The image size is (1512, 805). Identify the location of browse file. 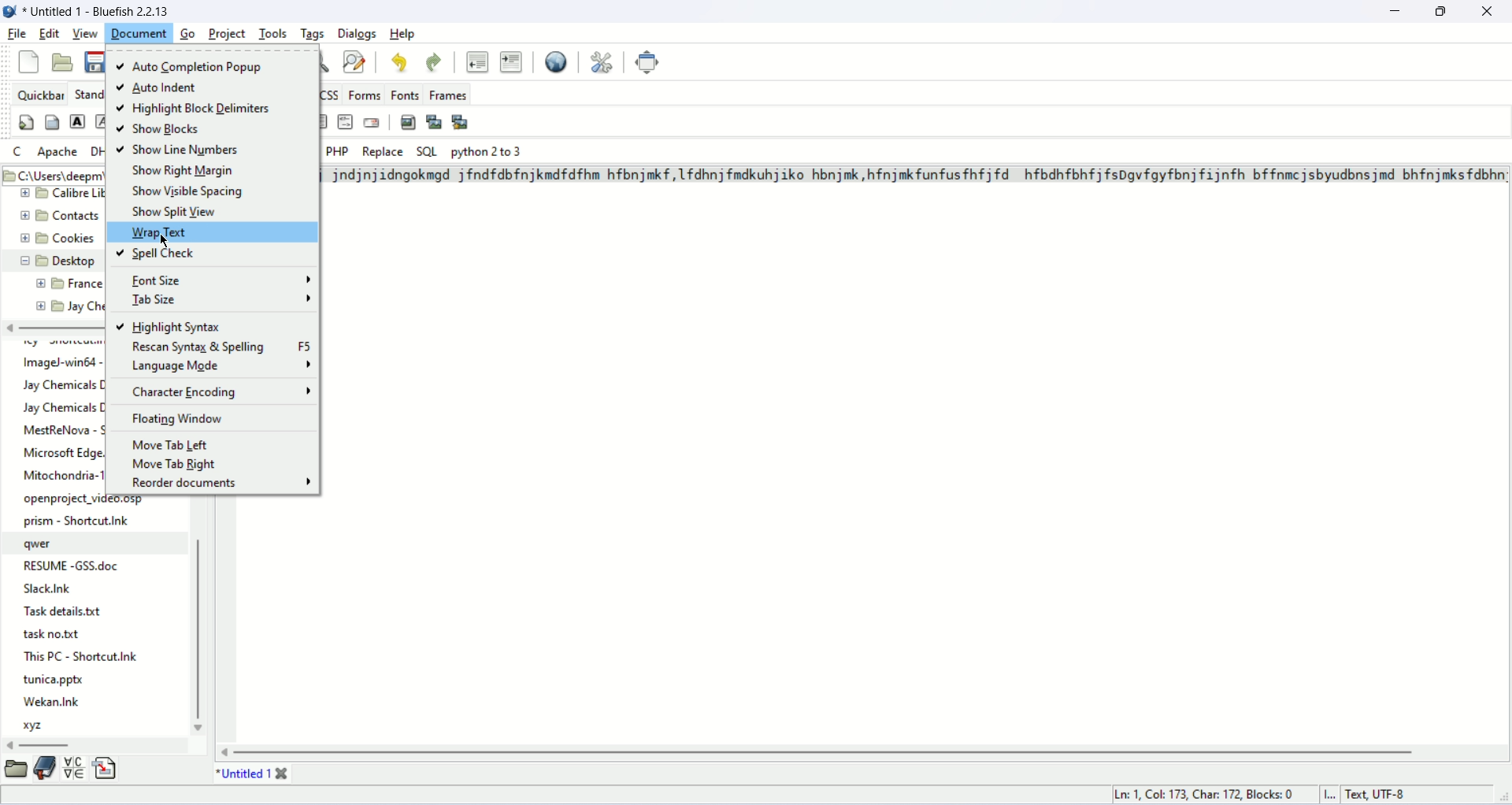
(16, 771).